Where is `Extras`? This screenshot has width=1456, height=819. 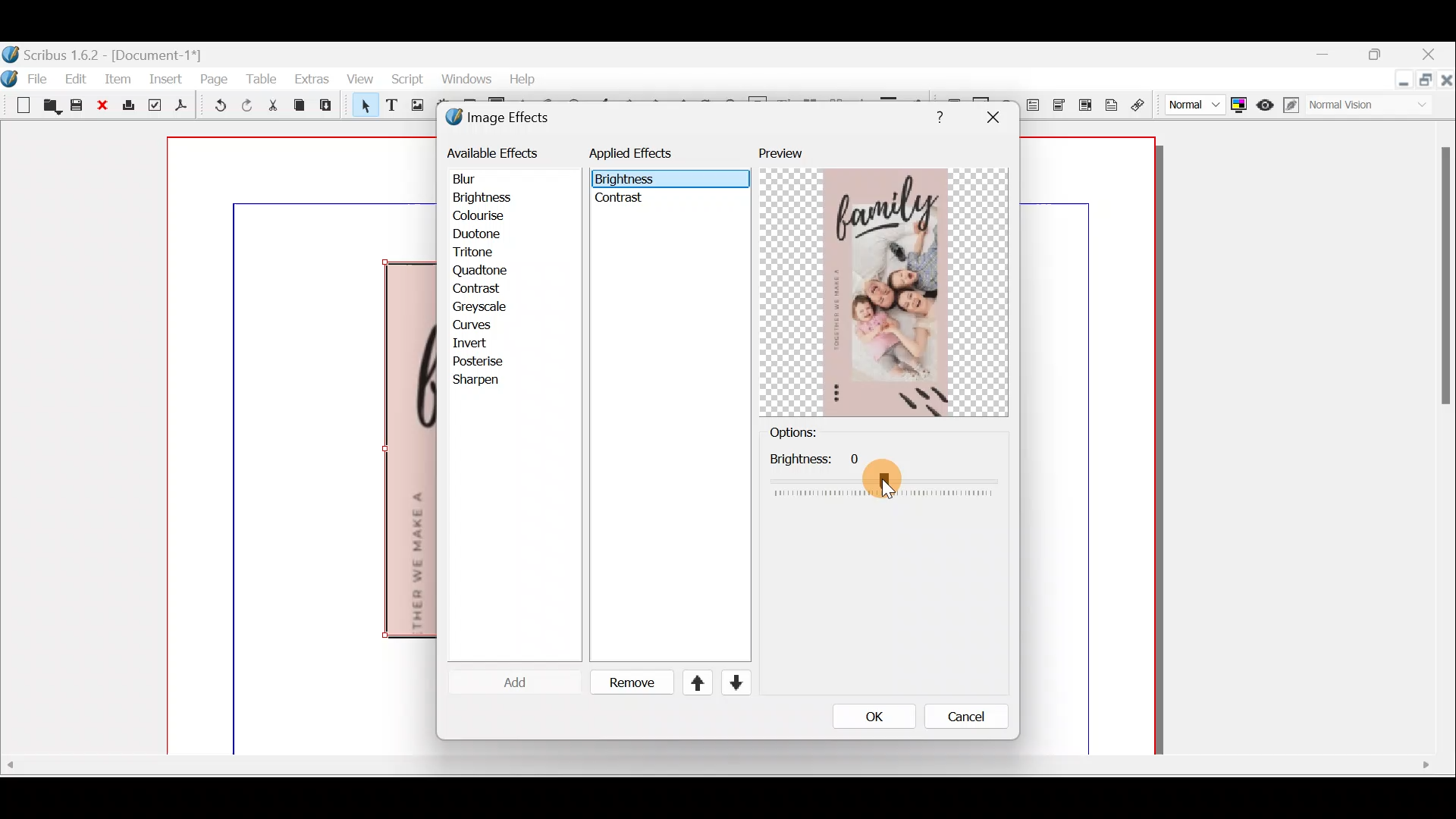
Extras is located at coordinates (311, 78).